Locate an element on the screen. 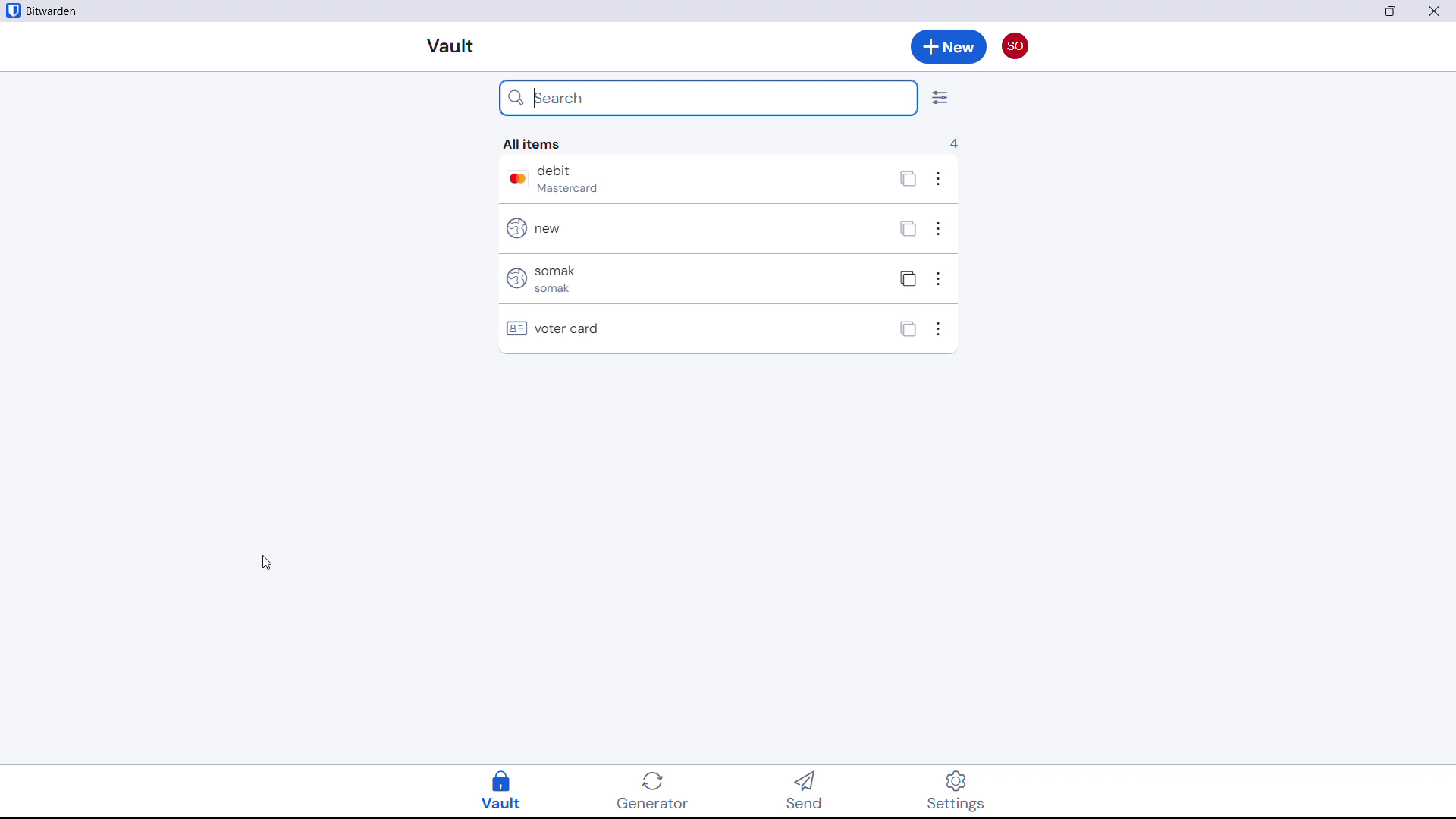 The width and height of the screenshot is (1456, 819). Options for "debit" is located at coordinates (943, 183).